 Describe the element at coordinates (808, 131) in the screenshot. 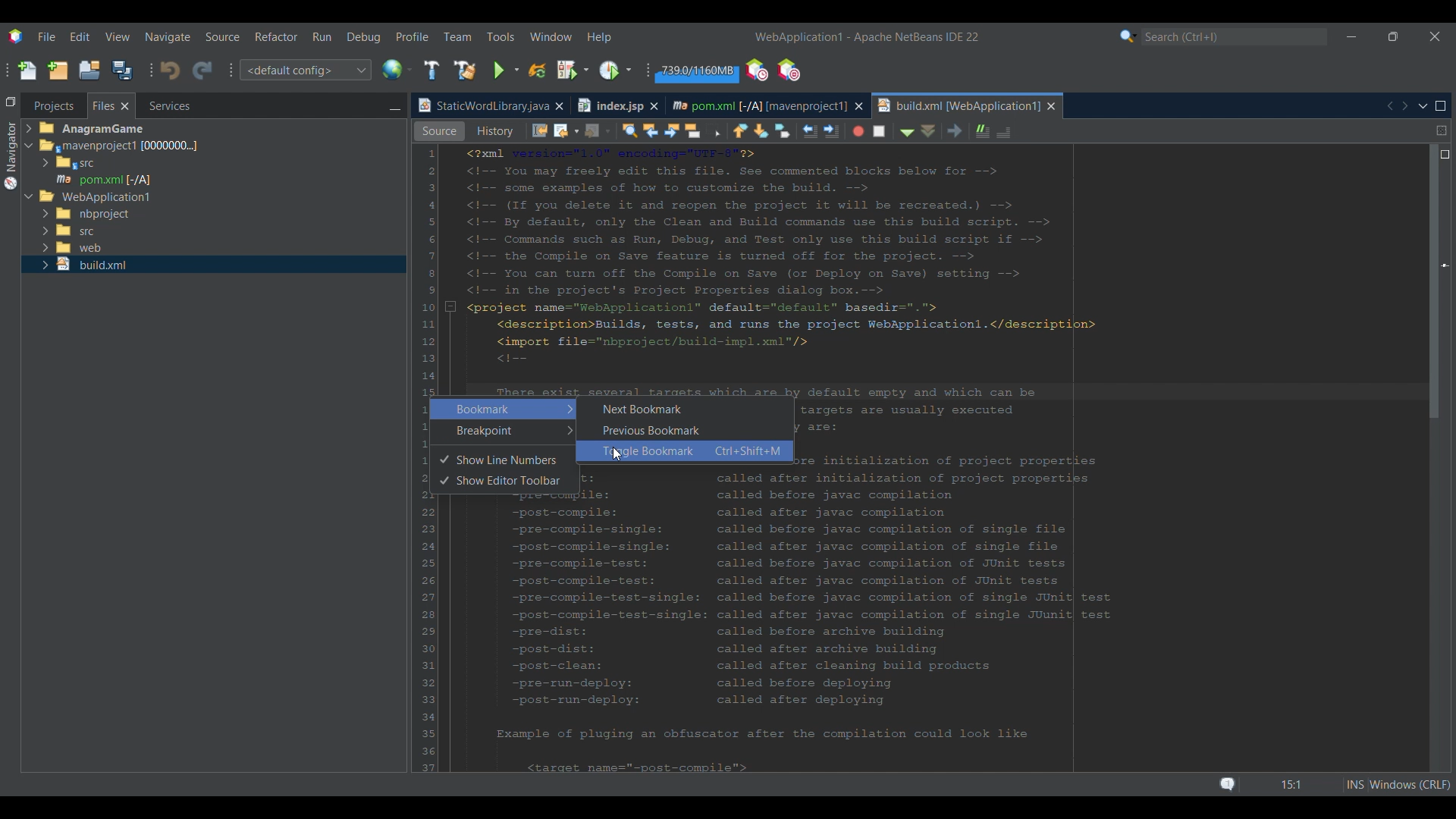

I see `Find next occurrence ` at that location.